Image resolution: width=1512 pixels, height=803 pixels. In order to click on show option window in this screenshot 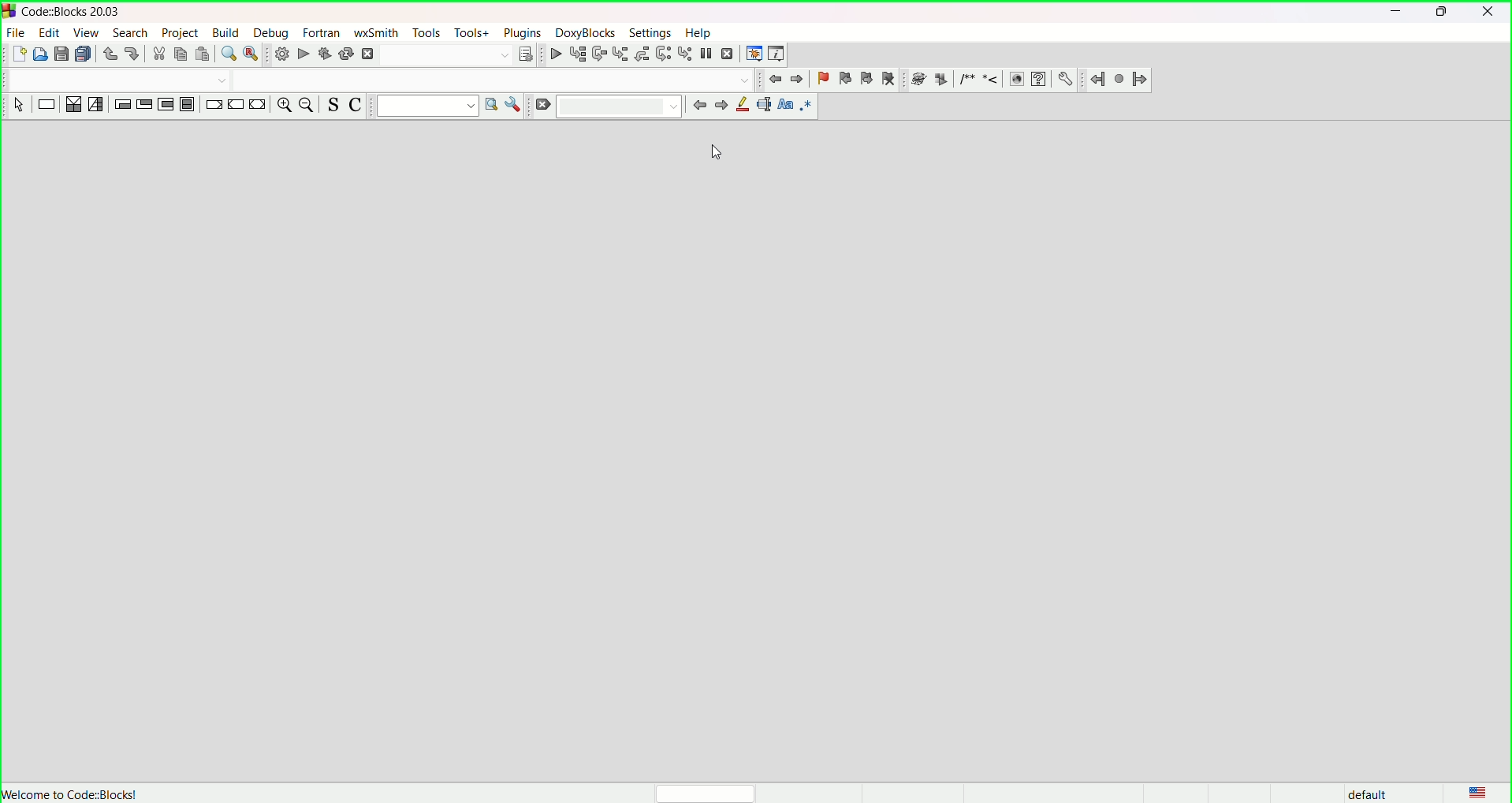, I will do `click(516, 104)`.